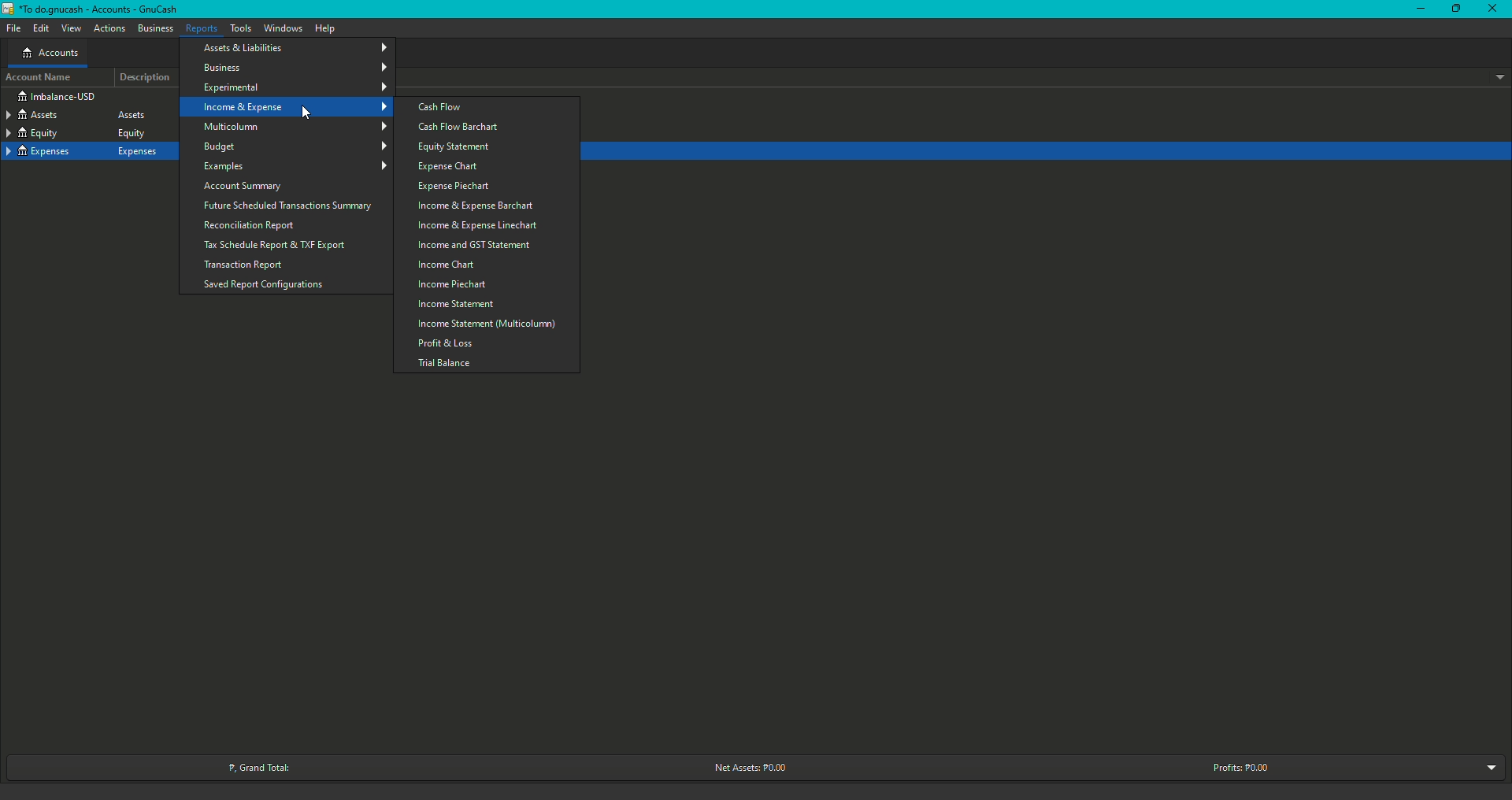 The height and width of the screenshot is (800, 1512). I want to click on Experimental, so click(296, 87).